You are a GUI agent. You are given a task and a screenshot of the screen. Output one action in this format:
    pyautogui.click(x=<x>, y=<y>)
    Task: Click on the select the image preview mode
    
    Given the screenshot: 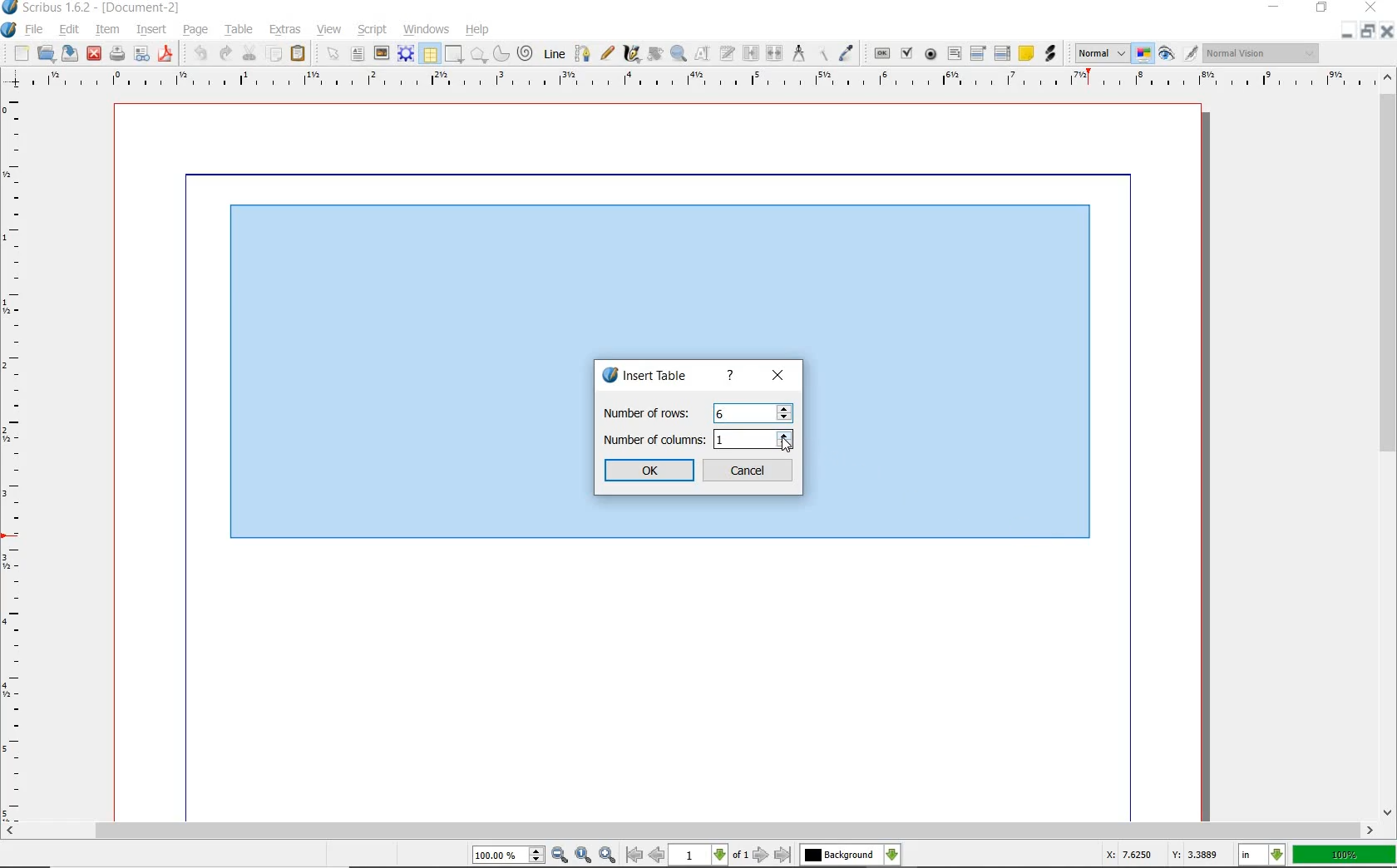 What is the action you would take?
    pyautogui.click(x=1098, y=53)
    